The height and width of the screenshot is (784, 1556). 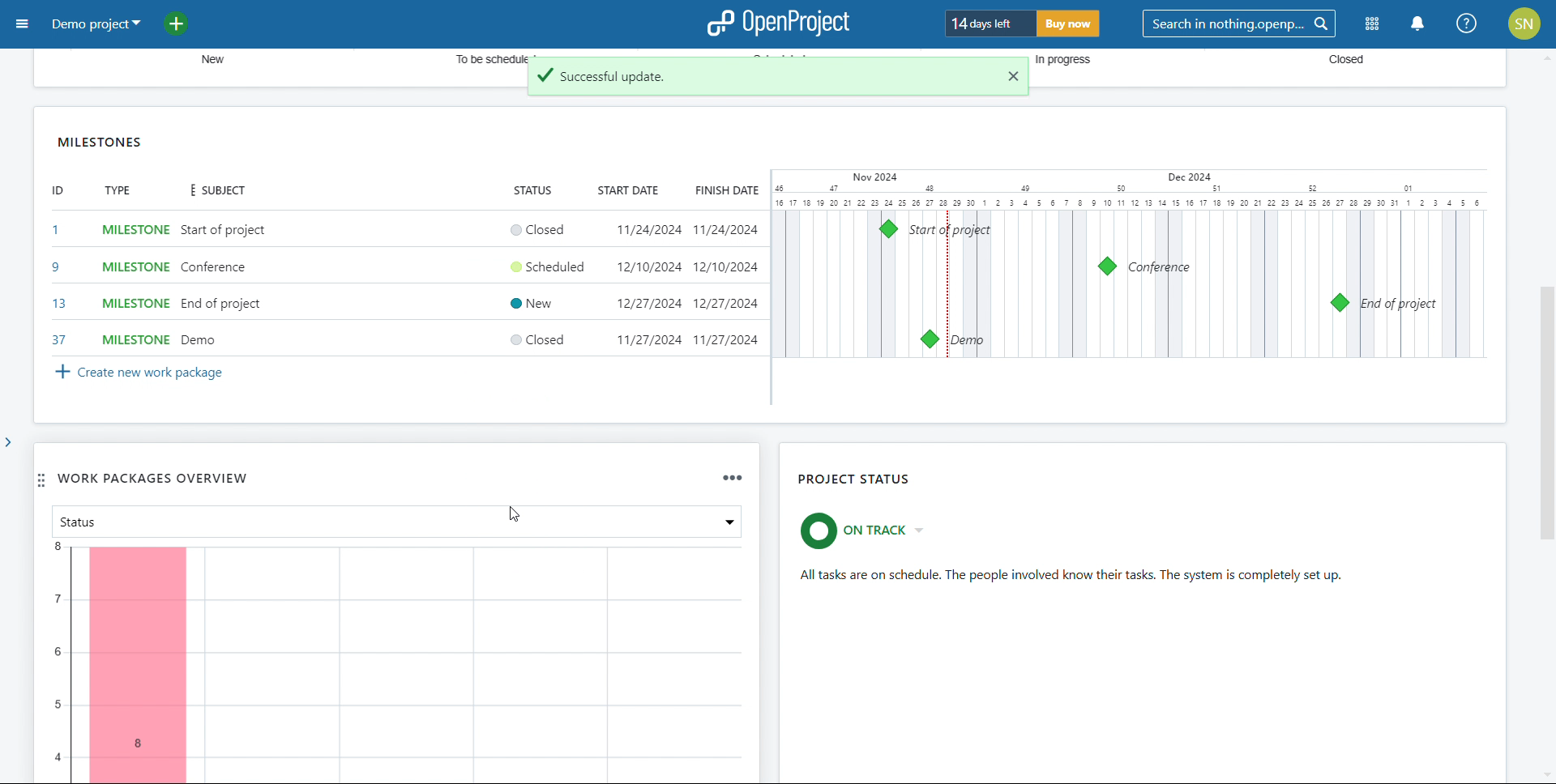 What do you see at coordinates (536, 339) in the screenshot?
I see `status closed` at bounding box center [536, 339].